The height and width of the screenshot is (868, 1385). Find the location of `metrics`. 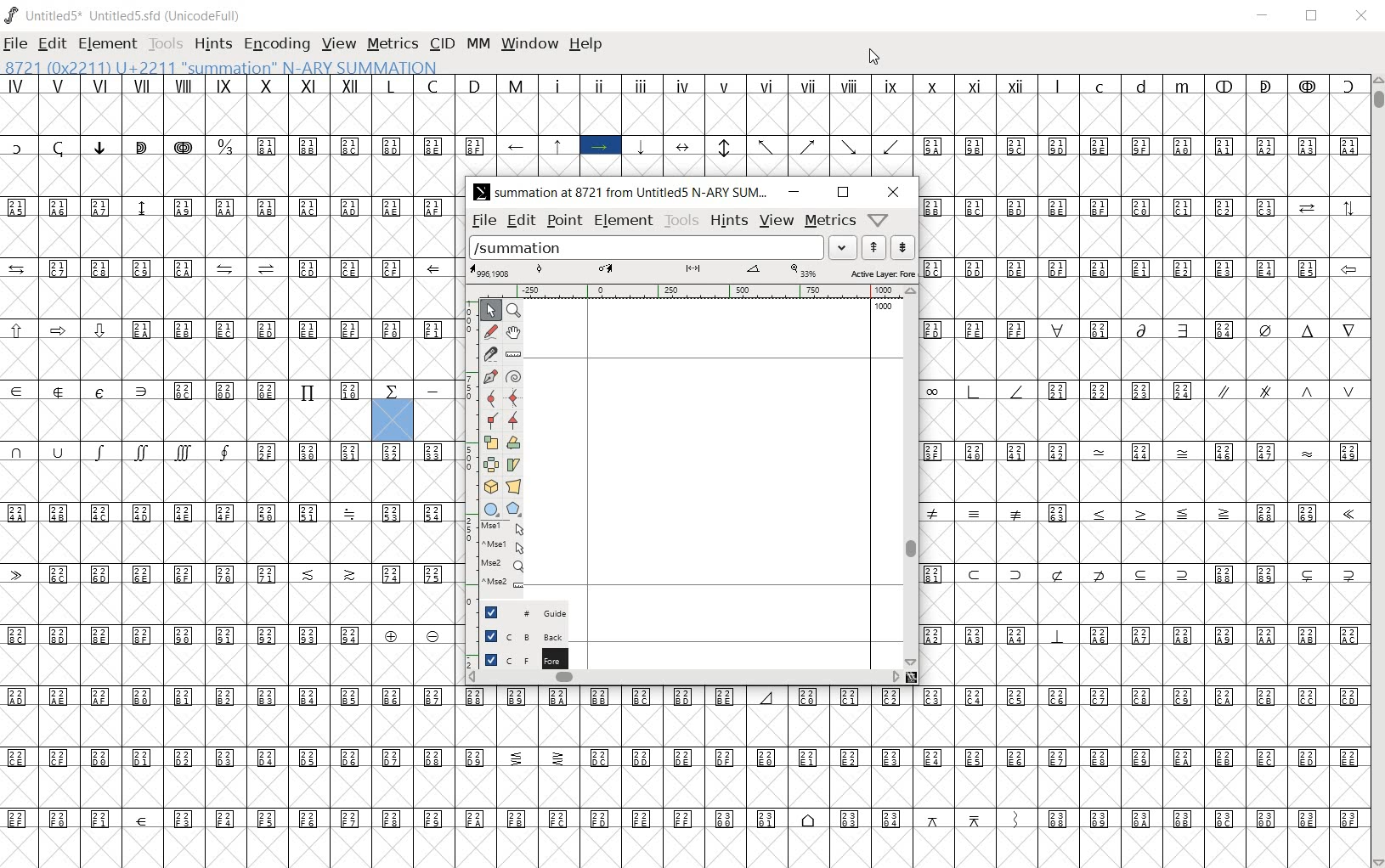

metrics is located at coordinates (828, 221).